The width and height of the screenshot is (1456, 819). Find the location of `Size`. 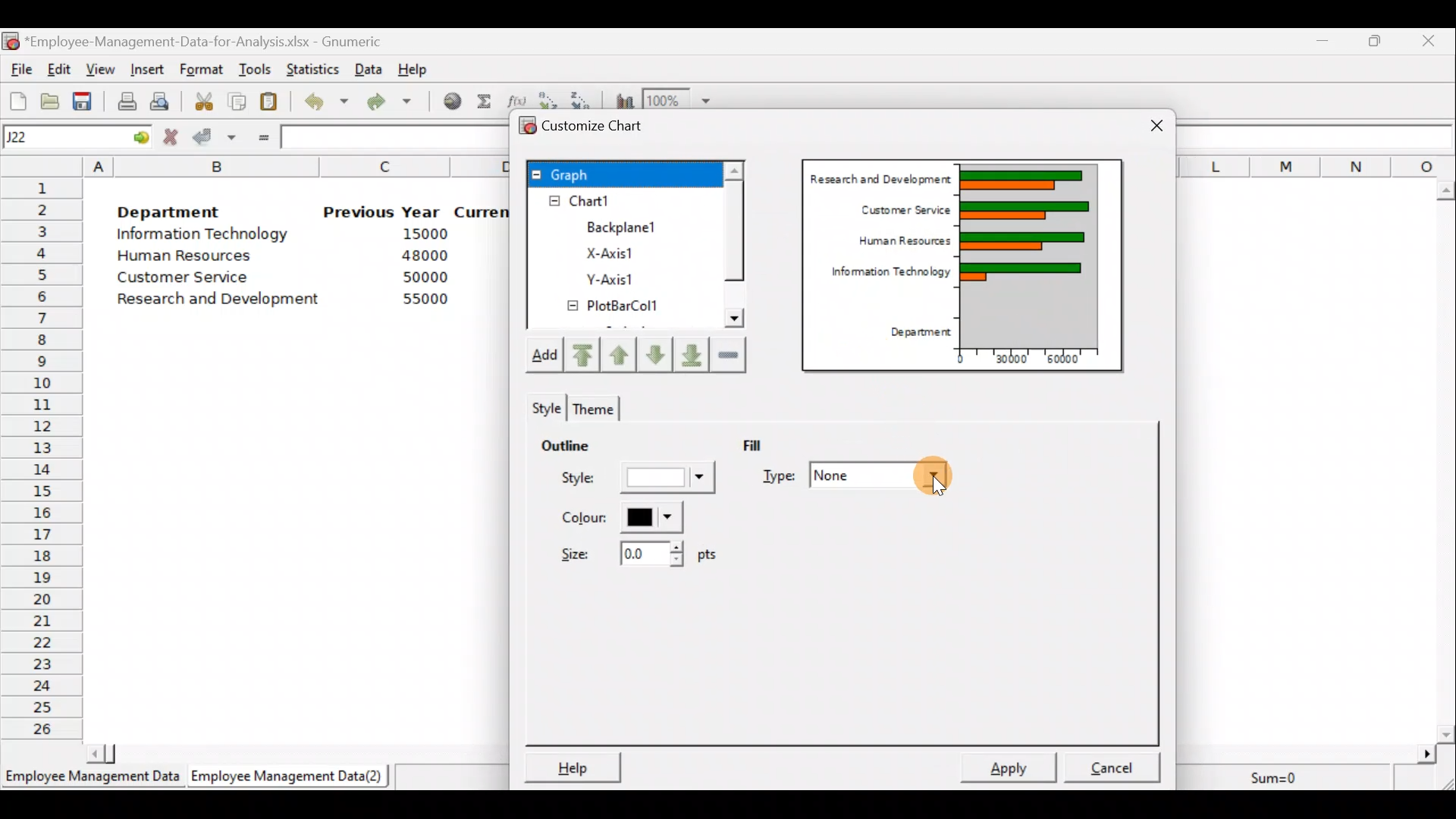

Size is located at coordinates (632, 558).